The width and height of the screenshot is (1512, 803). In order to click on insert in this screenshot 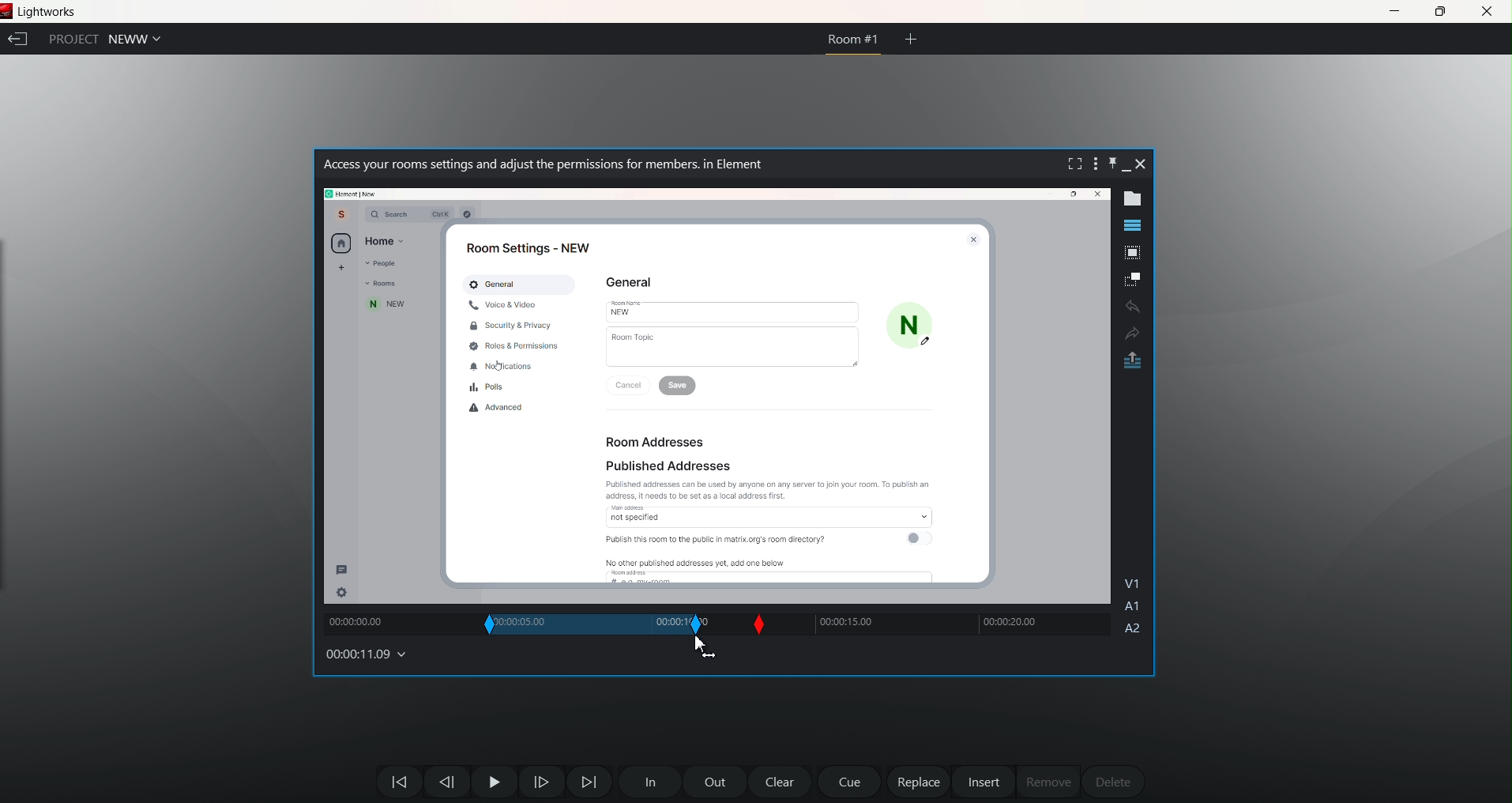, I will do `click(985, 782)`.